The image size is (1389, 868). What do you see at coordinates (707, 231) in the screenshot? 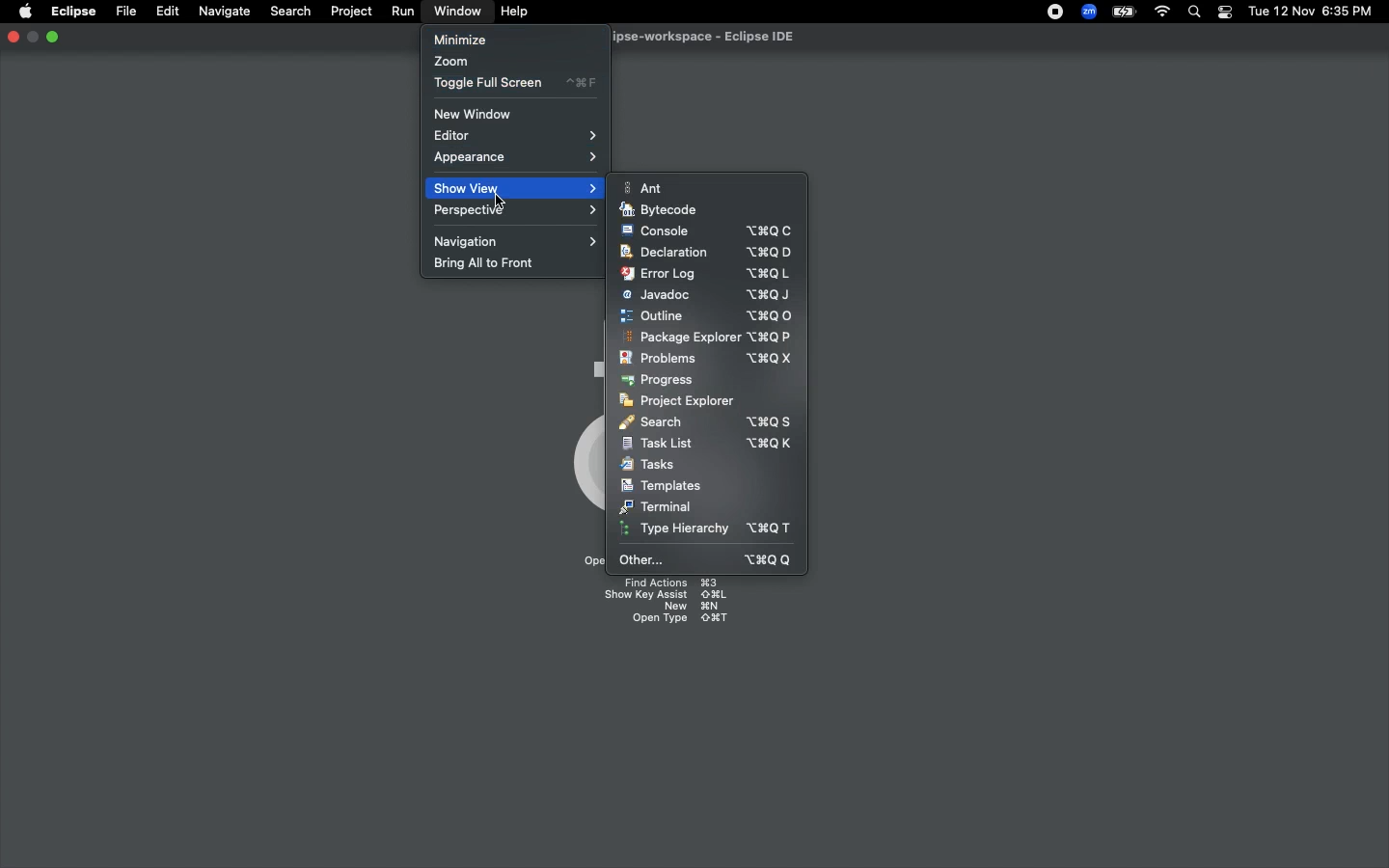
I see `Console` at bounding box center [707, 231].